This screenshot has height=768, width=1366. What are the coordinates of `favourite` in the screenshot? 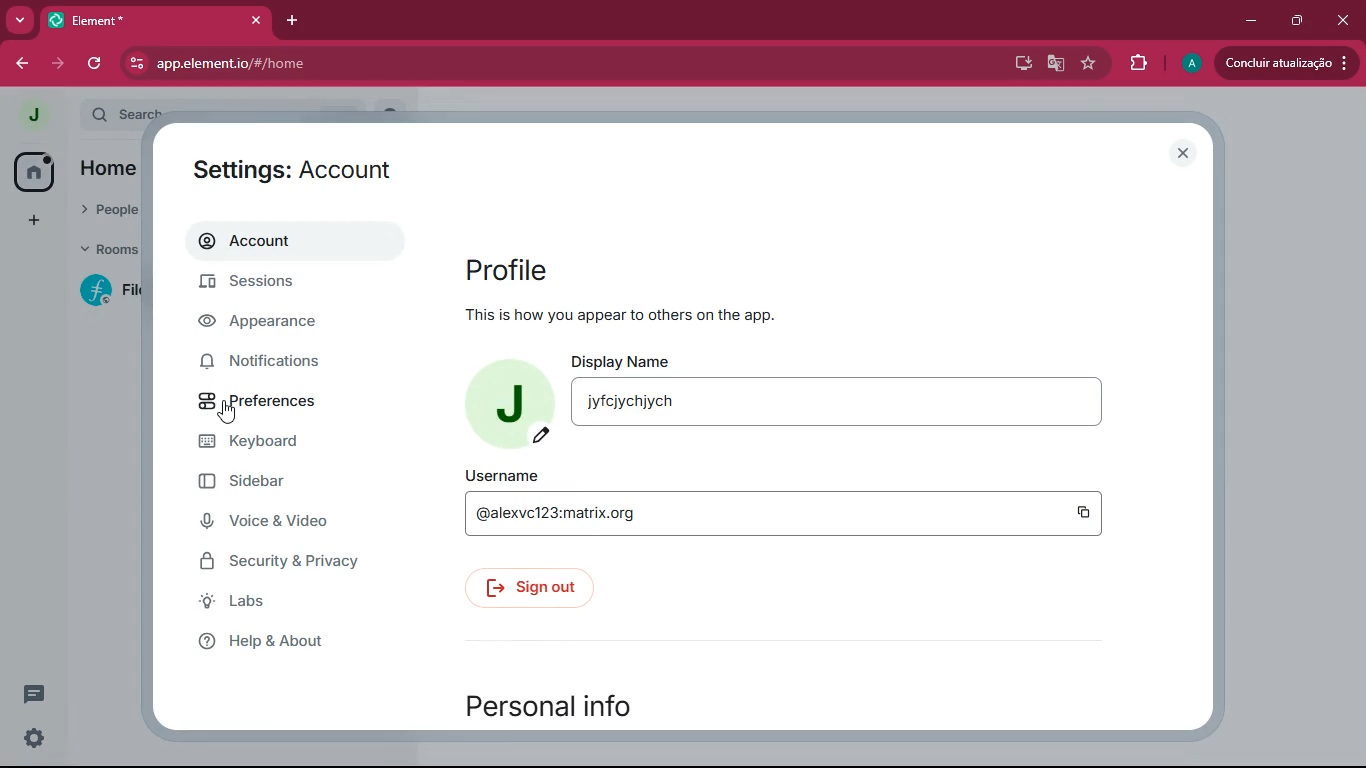 It's located at (1088, 63).